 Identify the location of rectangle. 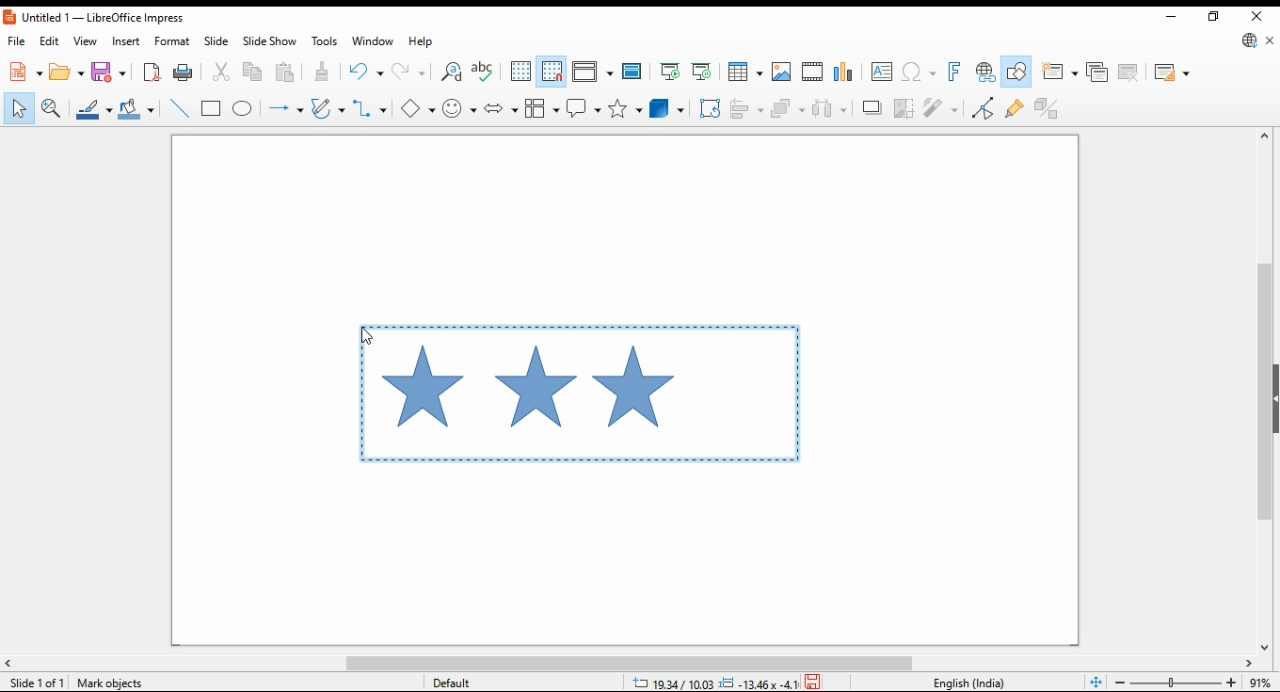
(211, 108).